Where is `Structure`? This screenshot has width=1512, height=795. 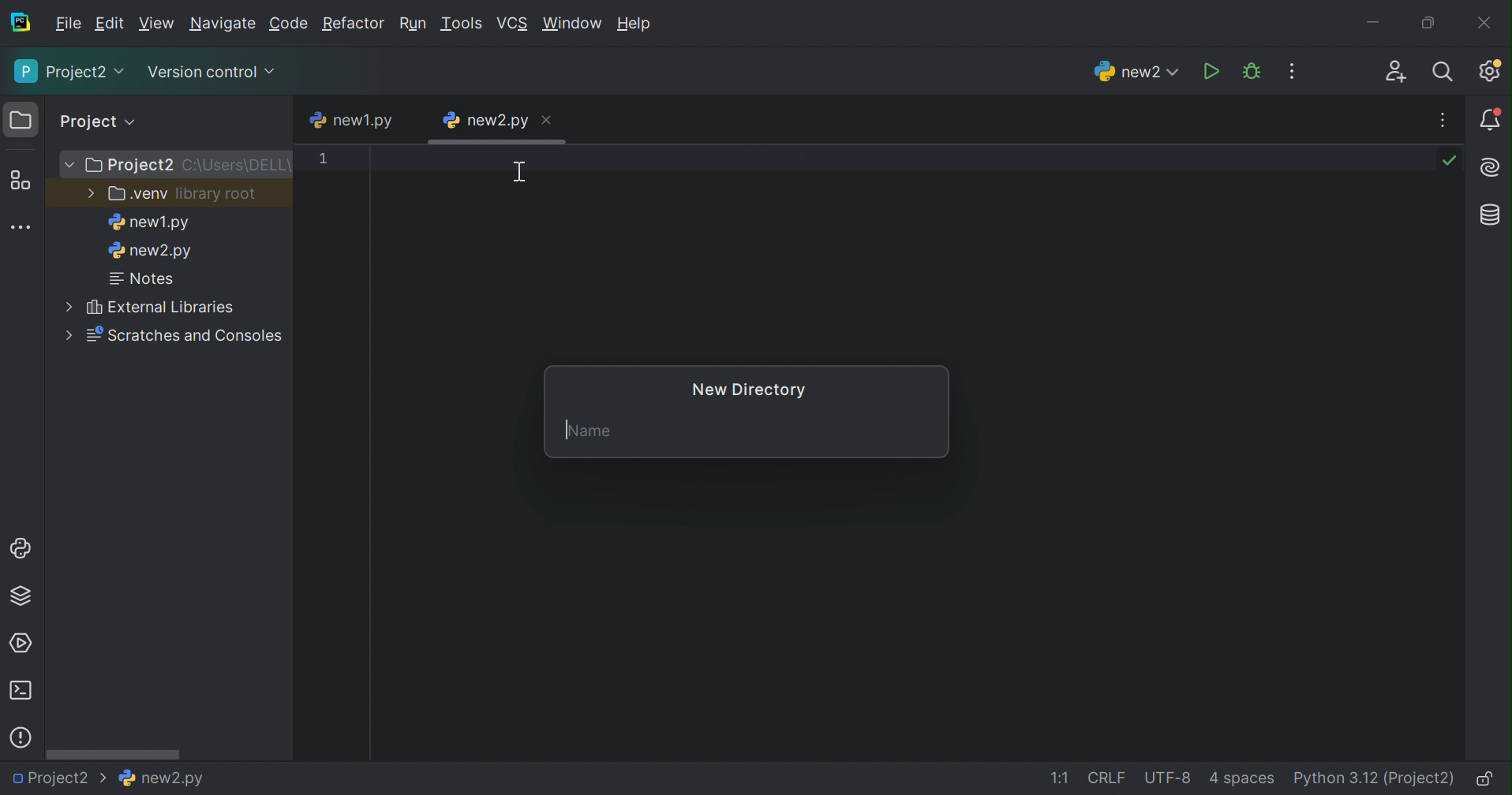
Structure is located at coordinates (21, 181).